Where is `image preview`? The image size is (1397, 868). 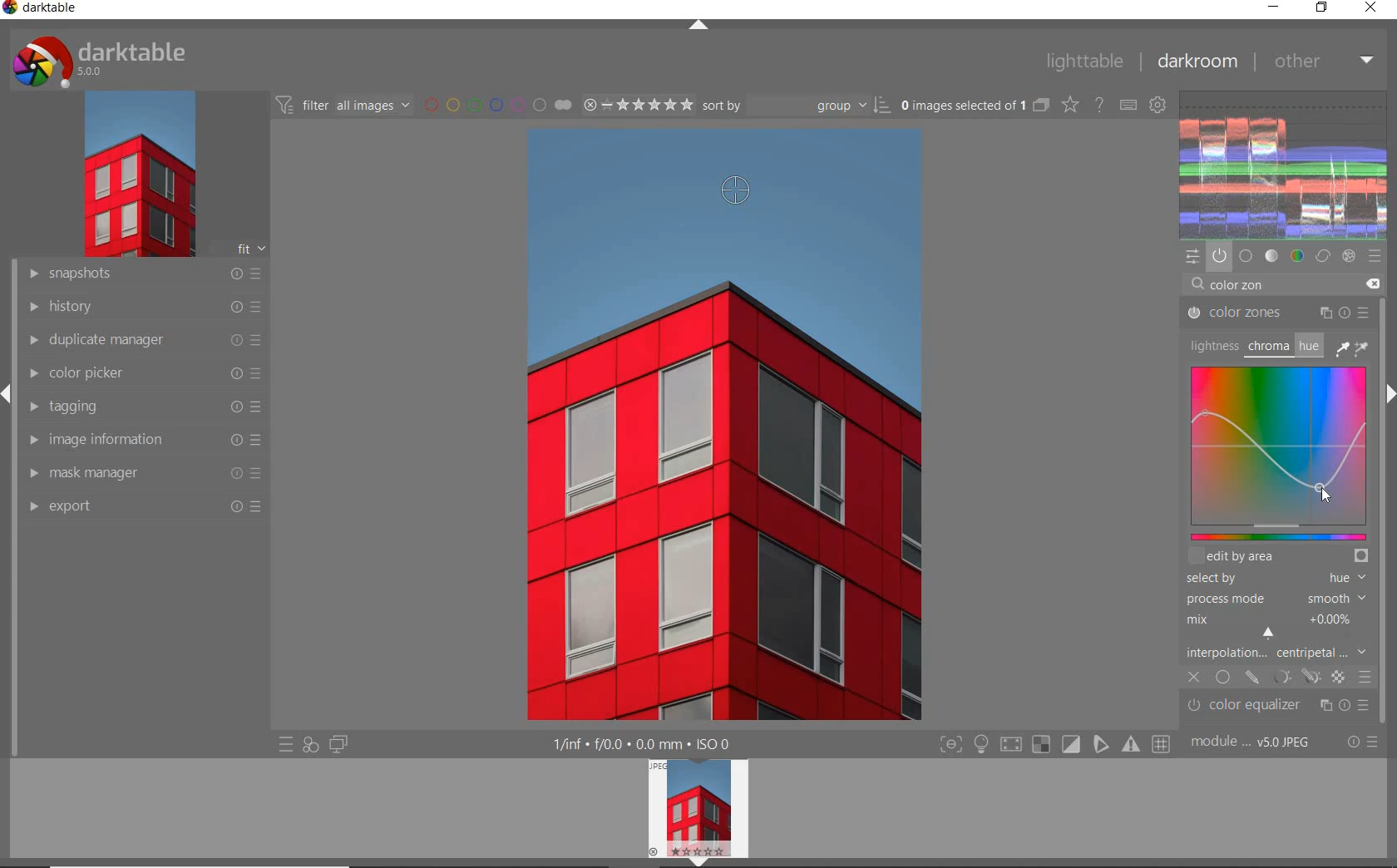 image preview is located at coordinates (694, 807).